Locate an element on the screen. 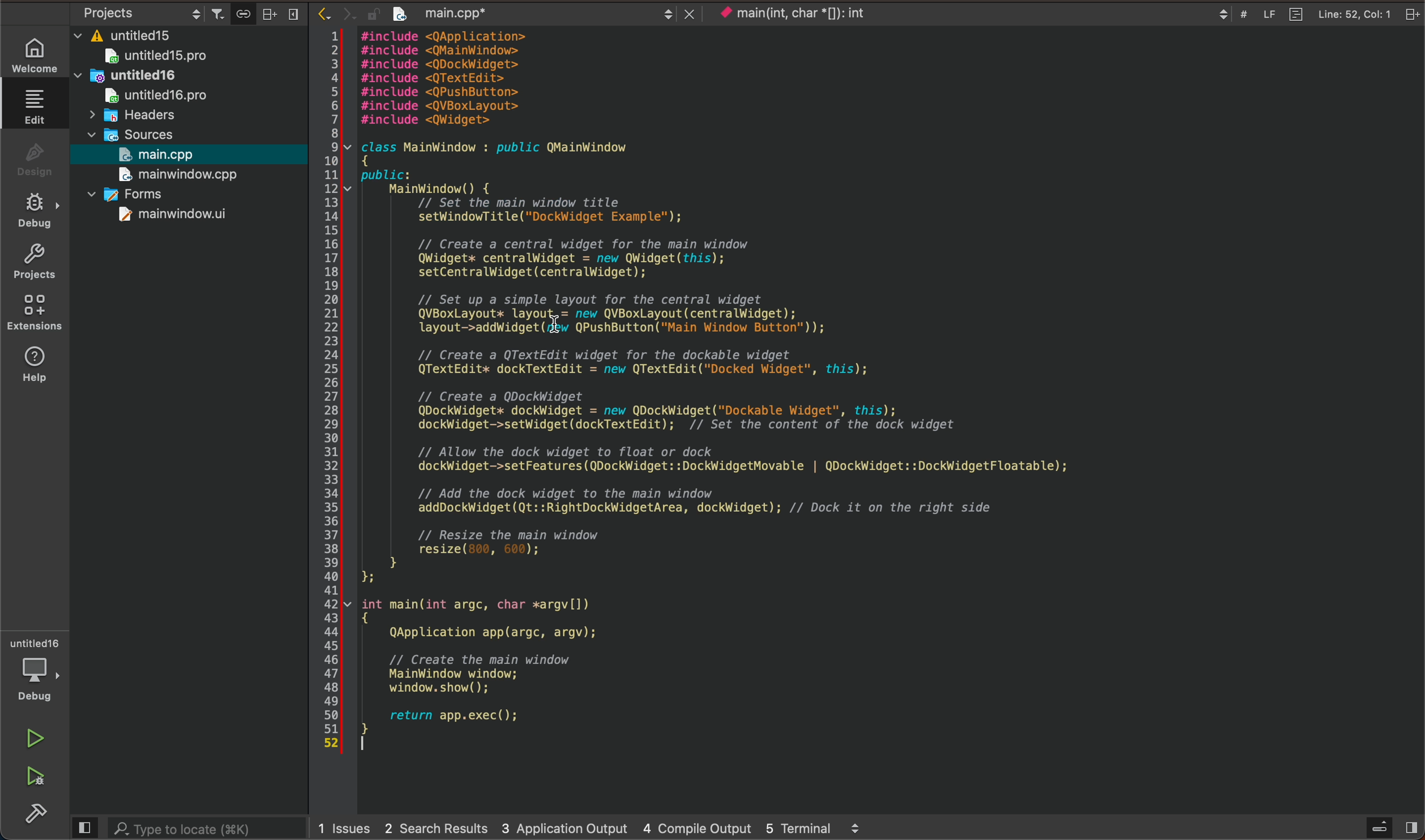  untitled15pro is located at coordinates (158, 57).